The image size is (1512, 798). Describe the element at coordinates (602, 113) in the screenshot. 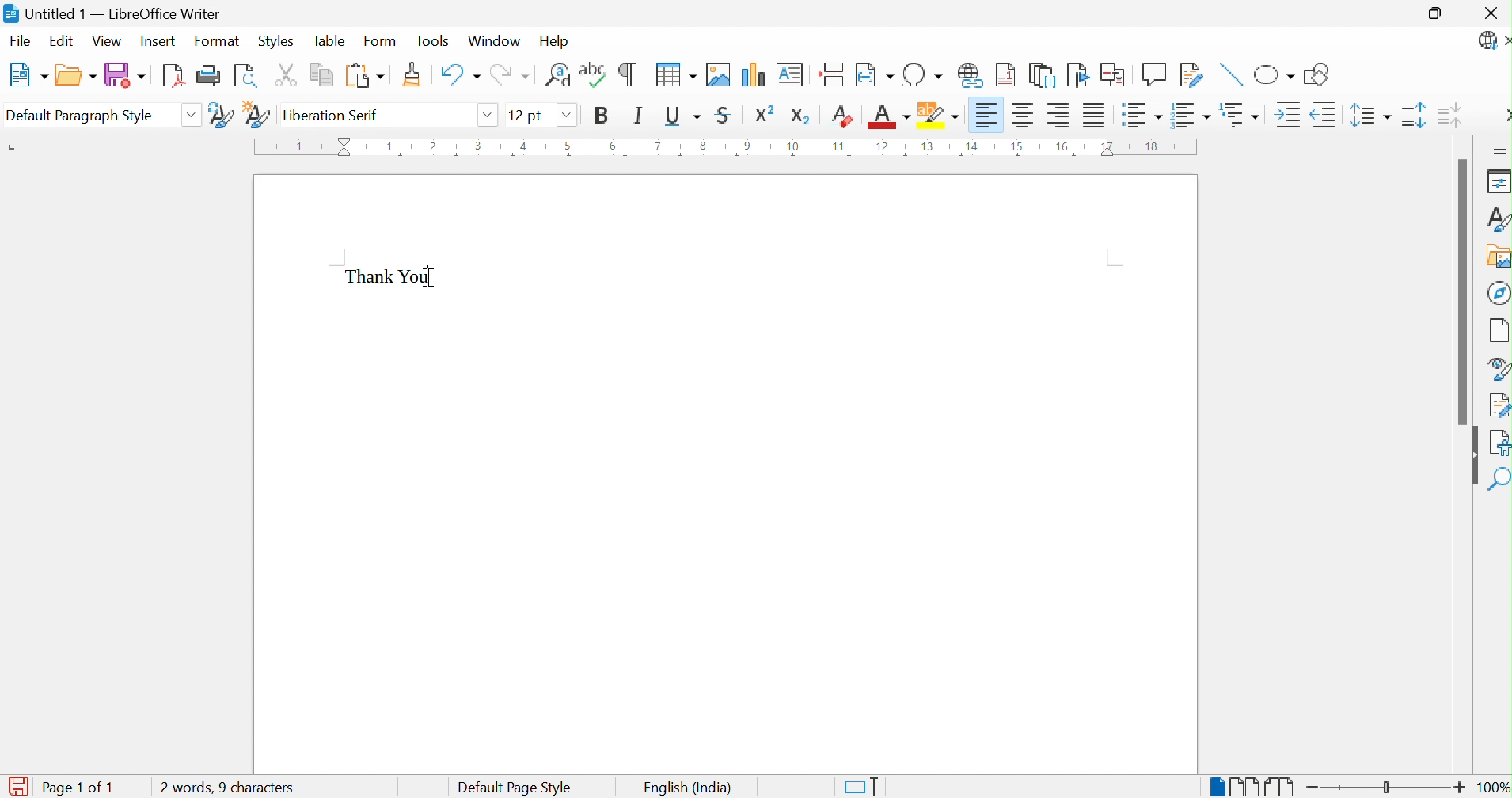

I see `Bold` at that location.